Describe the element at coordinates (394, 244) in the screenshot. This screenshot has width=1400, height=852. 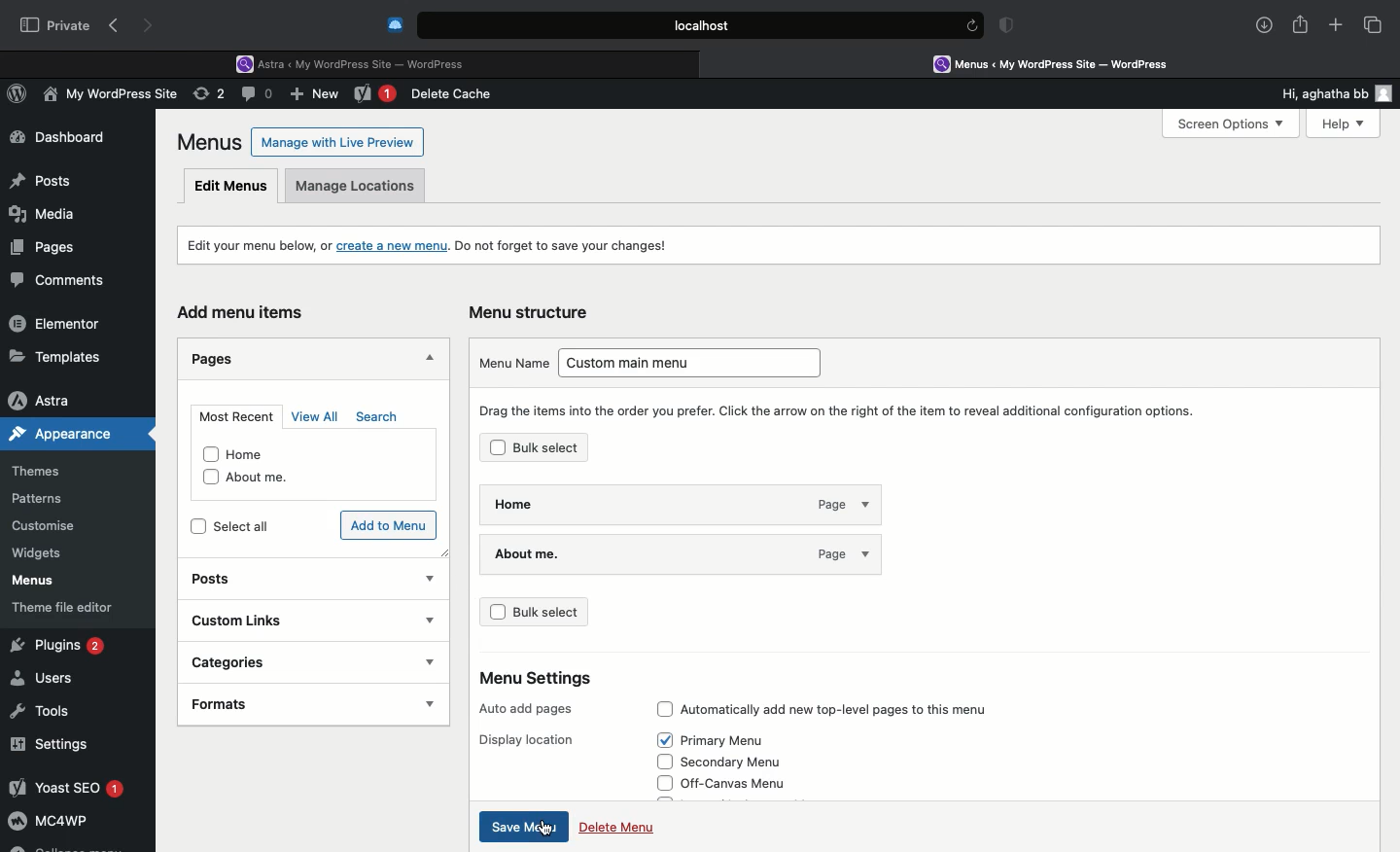
I see `create a new menu` at that location.